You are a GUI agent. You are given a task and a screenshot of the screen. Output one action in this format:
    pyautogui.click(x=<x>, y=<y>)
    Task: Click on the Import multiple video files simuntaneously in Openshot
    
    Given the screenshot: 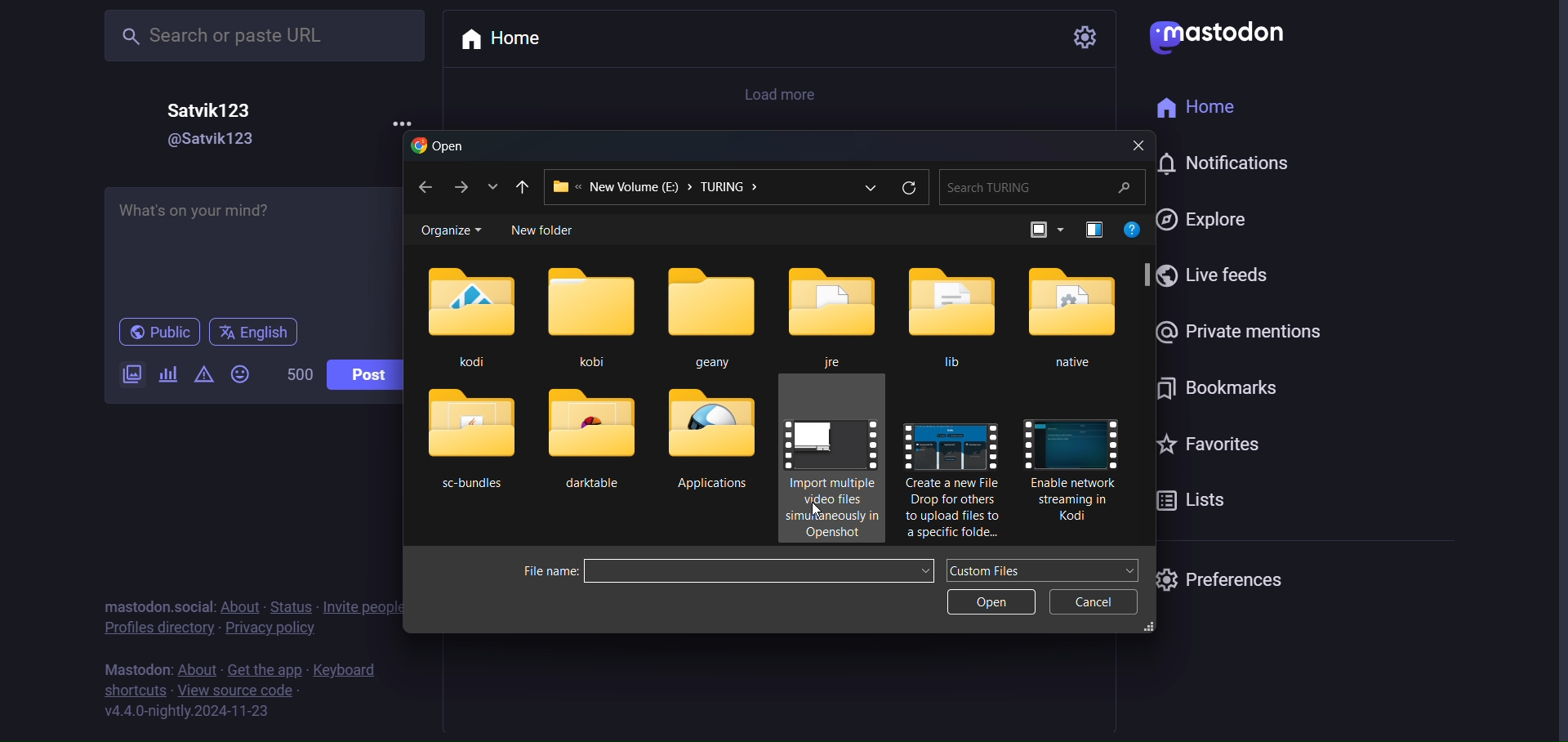 What is the action you would take?
    pyautogui.click(x=833, y=468)
    